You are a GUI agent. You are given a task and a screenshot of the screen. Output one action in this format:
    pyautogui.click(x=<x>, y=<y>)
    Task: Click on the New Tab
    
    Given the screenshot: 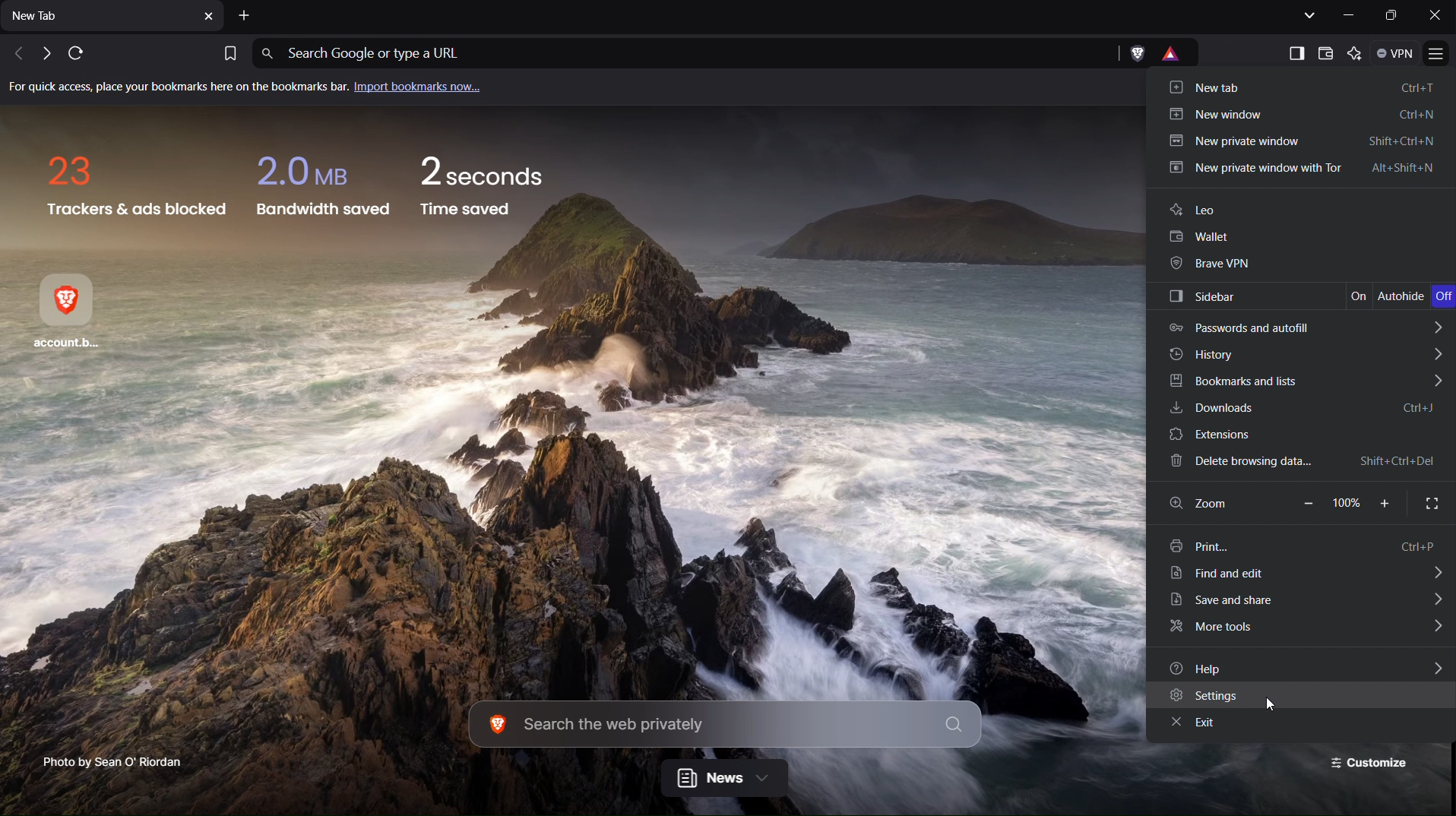 What is the action you would take?
    pyautogui.click(x=113, y=19)
    